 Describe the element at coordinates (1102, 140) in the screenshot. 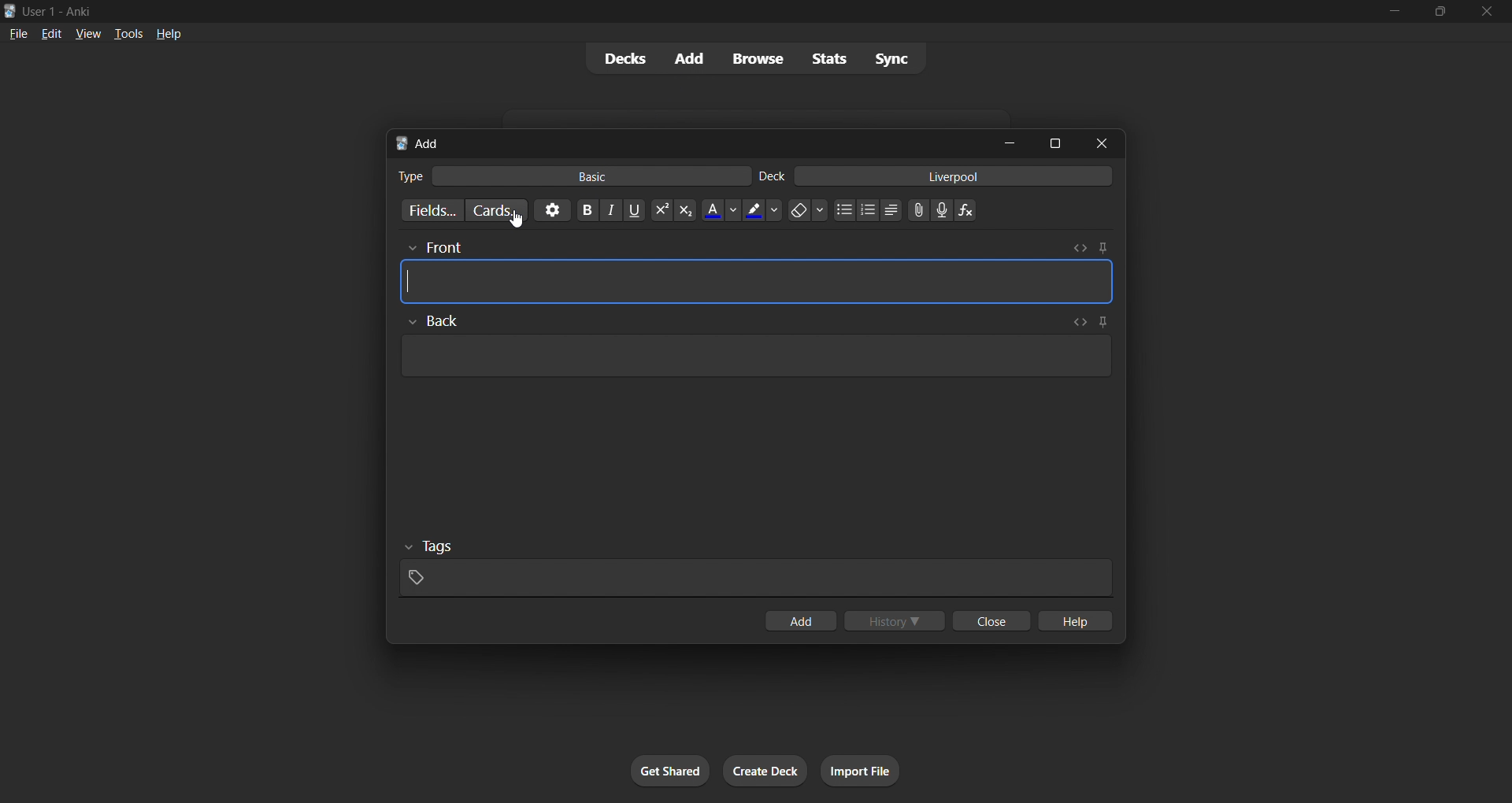

I see `close` at that location.